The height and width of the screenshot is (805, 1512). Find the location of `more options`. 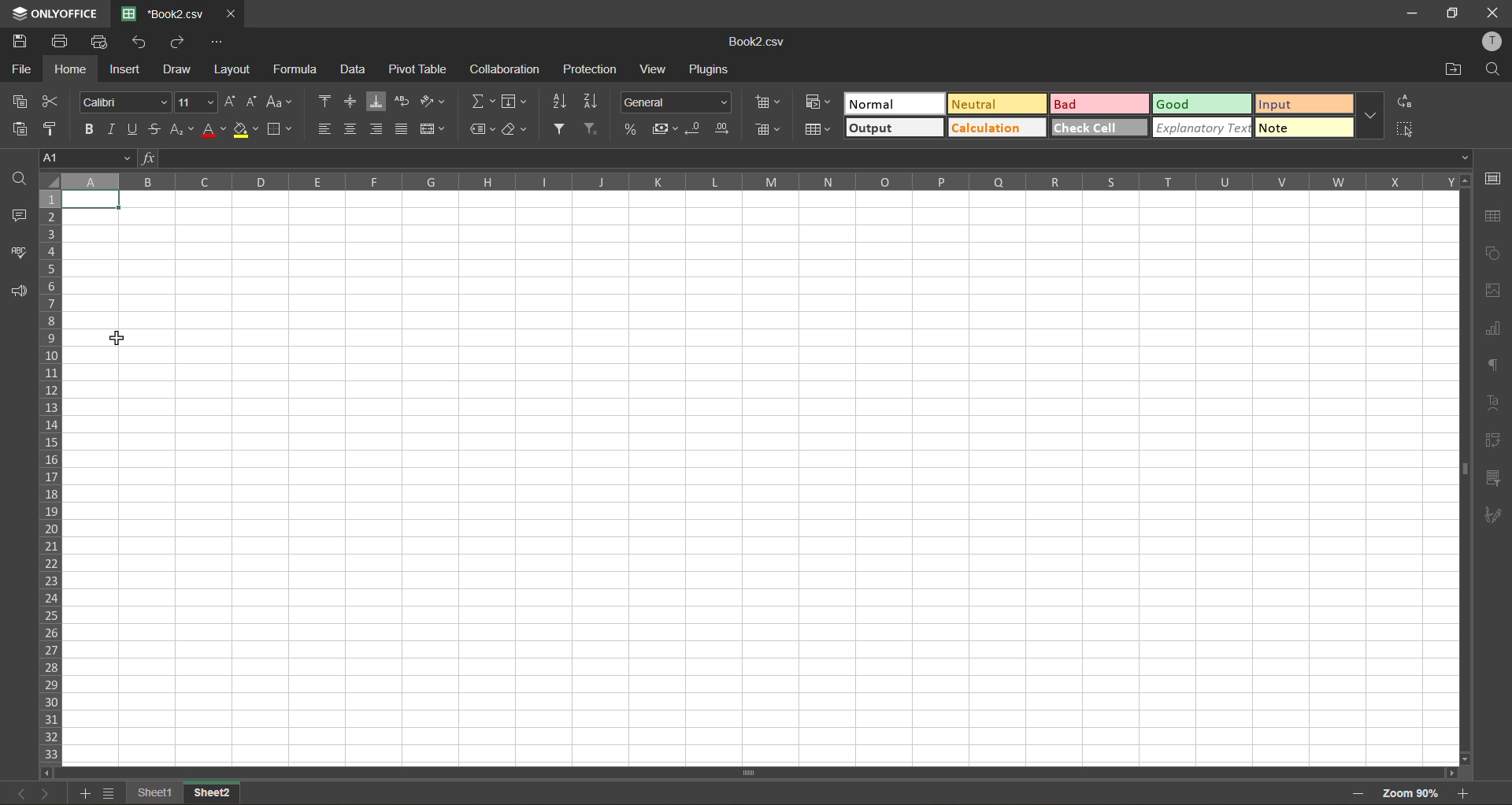

more options is located at coordinates (1373, 117).